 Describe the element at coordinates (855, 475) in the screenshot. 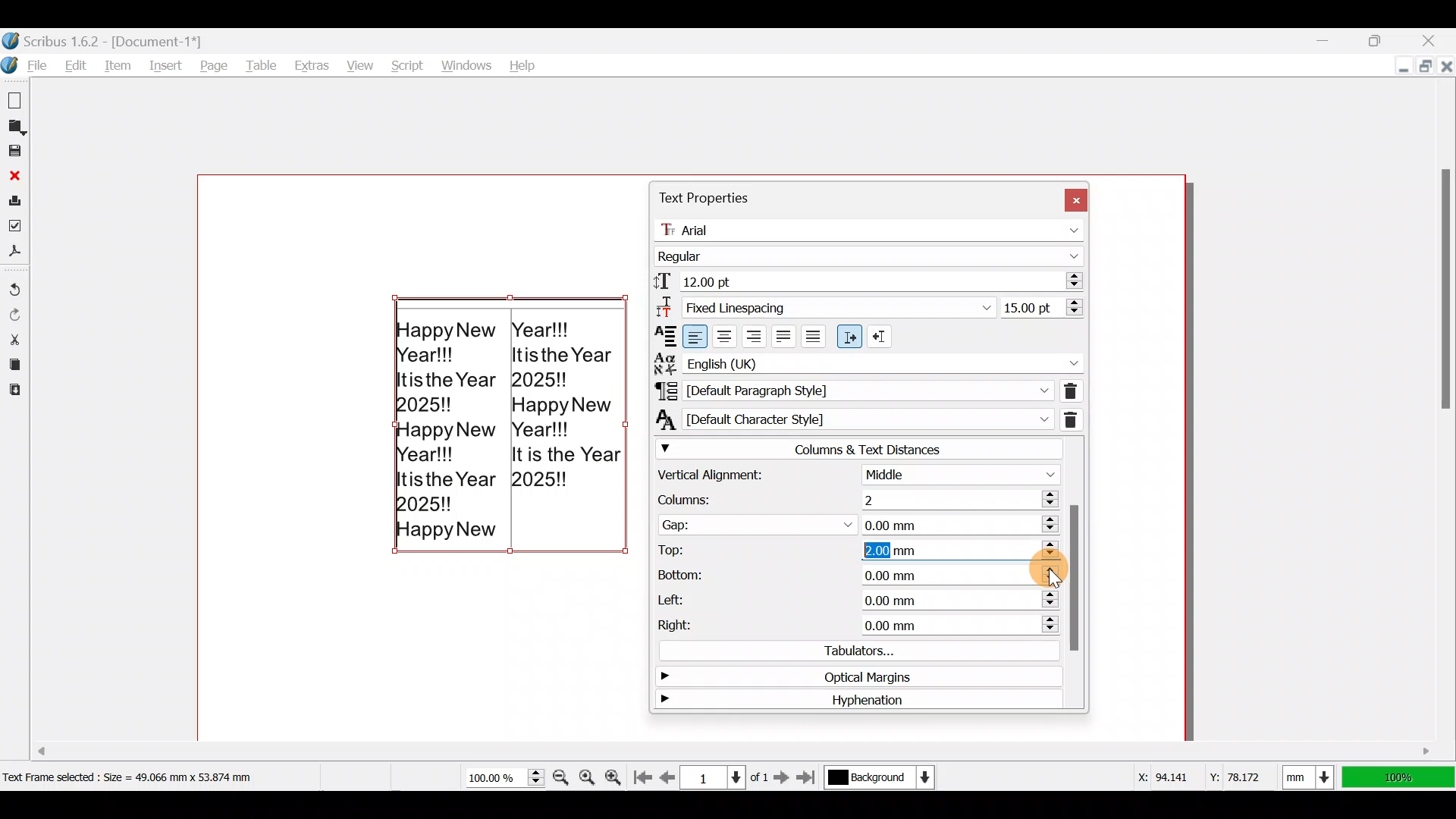

I see `Vertical alignment` at that location.